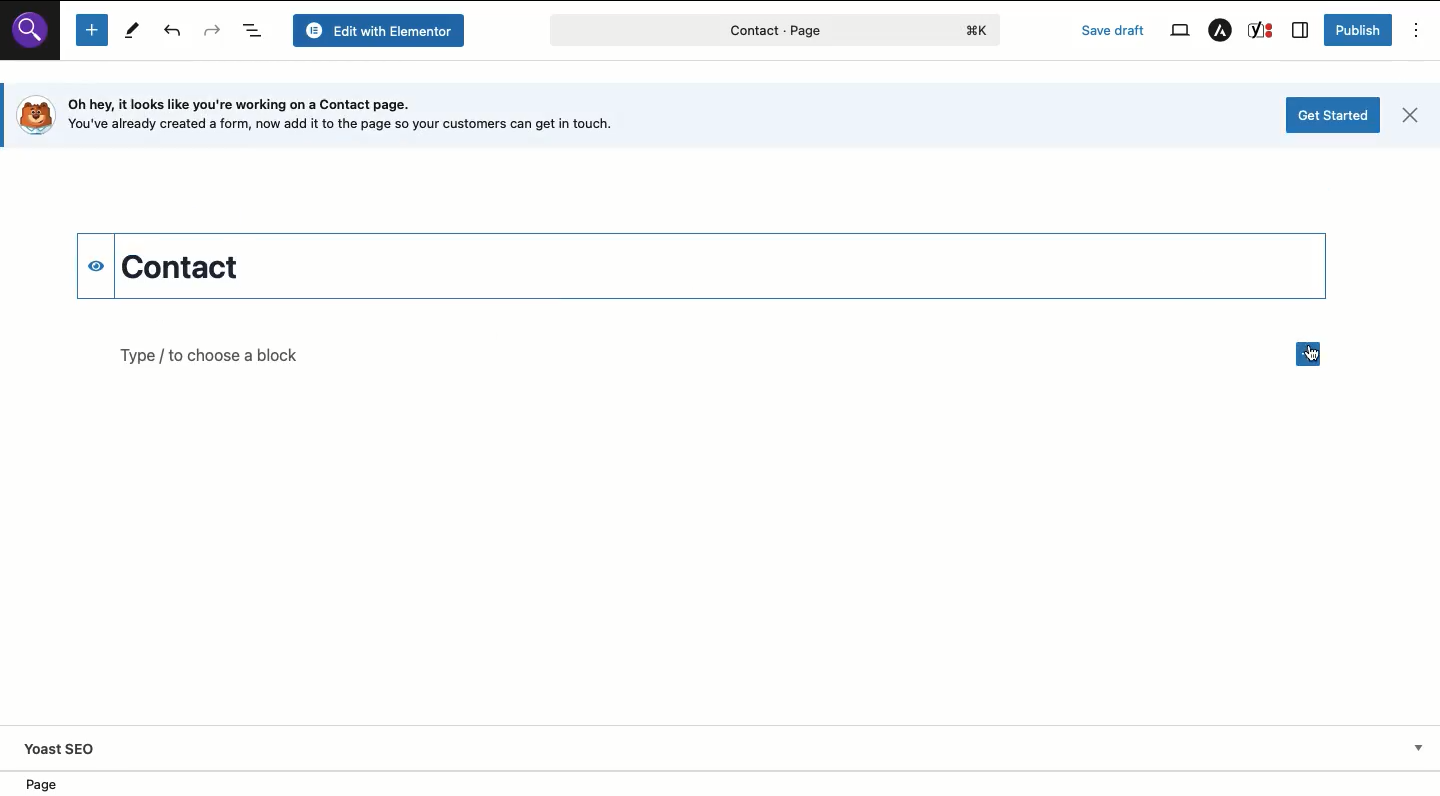  I want to click on Get started, so click(1334, 115).